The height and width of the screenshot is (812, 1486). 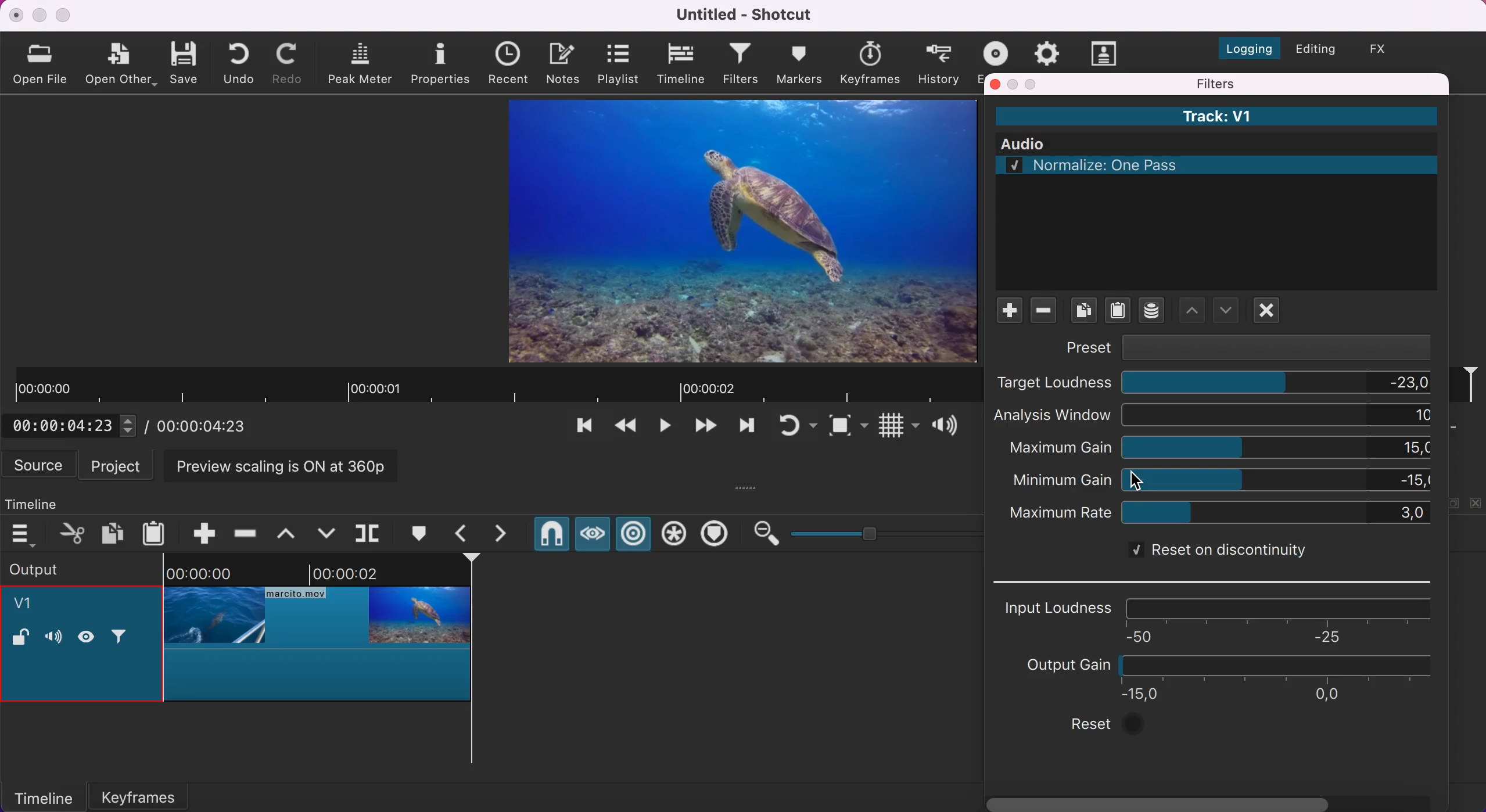 I want to click on skip to the next point, so click(x=704, y=429).